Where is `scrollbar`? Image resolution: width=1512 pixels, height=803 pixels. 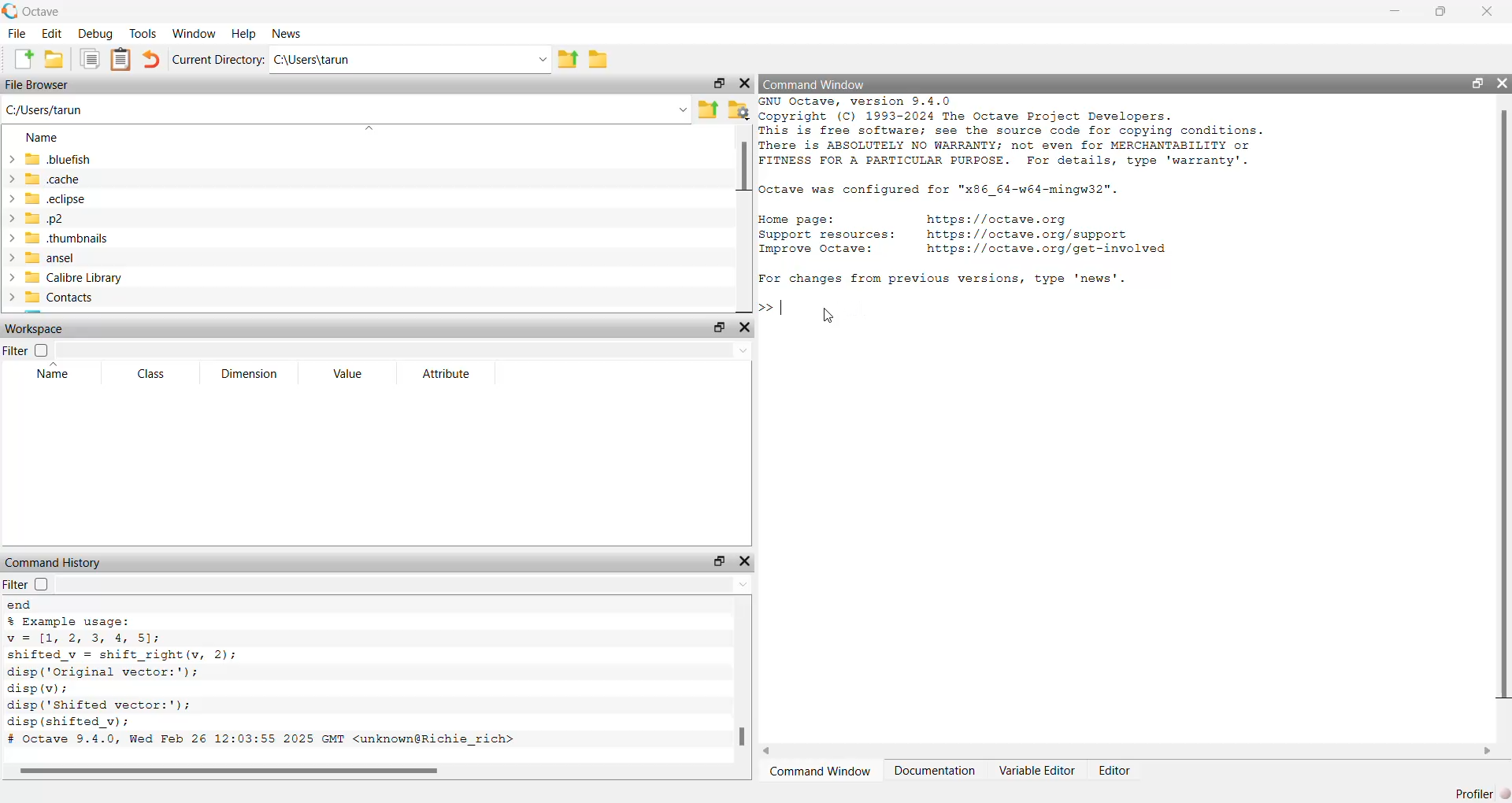 scrollbar is located at coordinates (741, 714).